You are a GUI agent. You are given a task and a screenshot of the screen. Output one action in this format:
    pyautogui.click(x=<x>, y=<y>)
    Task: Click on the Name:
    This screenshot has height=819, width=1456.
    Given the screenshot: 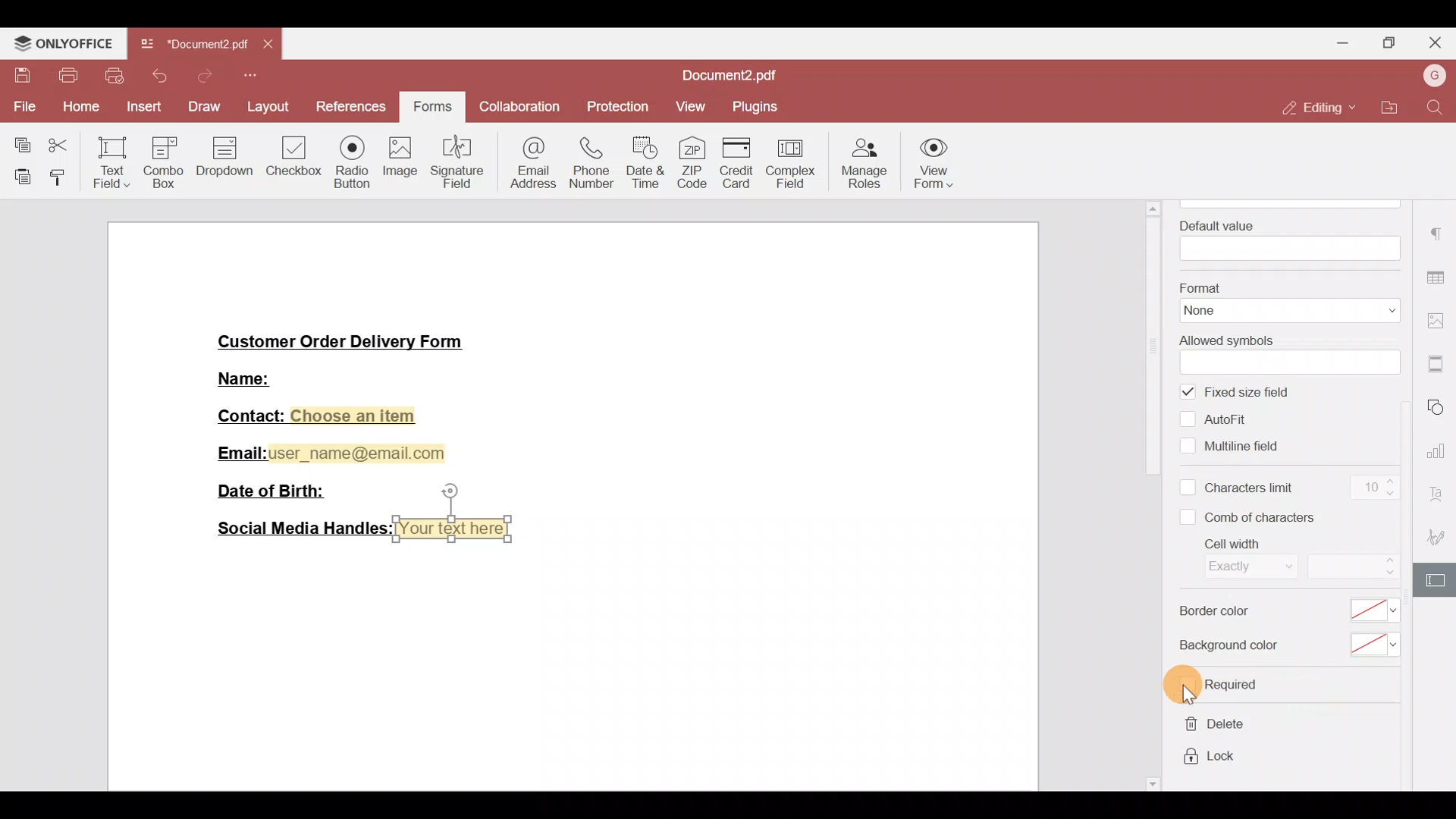 What is the action you would take?
    pyautogui.click(x=263, y=377)
    